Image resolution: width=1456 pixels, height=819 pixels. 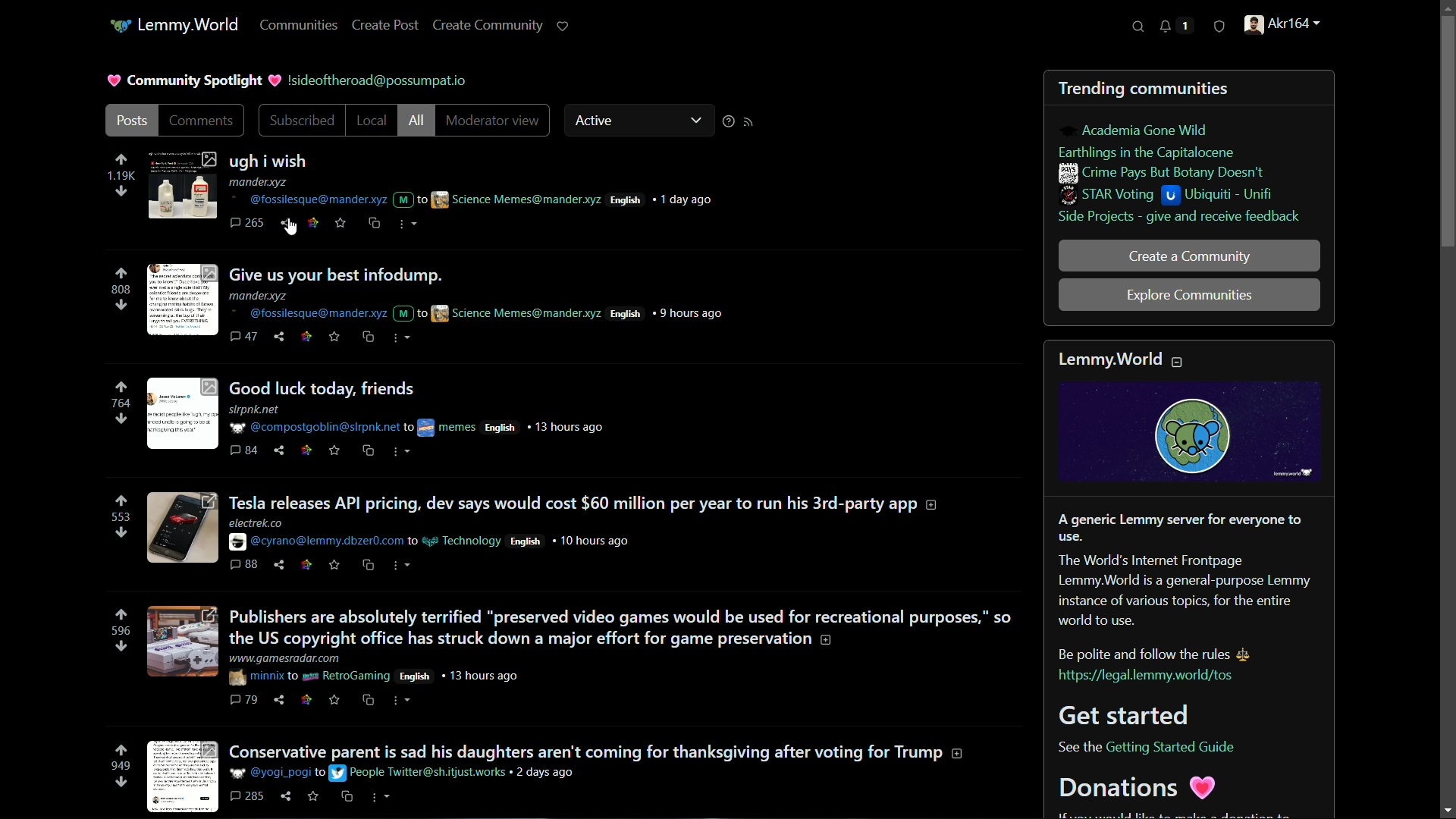 I want to click on downvote, so click(x=121, y=304).